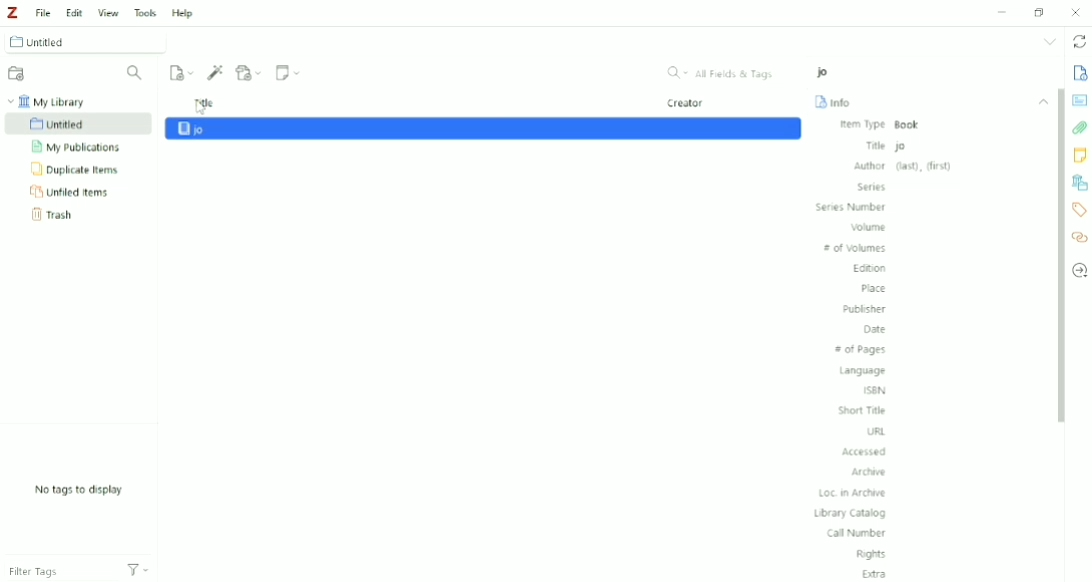 The image size is (1092, 582). What do you see at coordinates (856, 249) in the screenshot?
I see `# of Volumes` at bounding box center [856, 249].